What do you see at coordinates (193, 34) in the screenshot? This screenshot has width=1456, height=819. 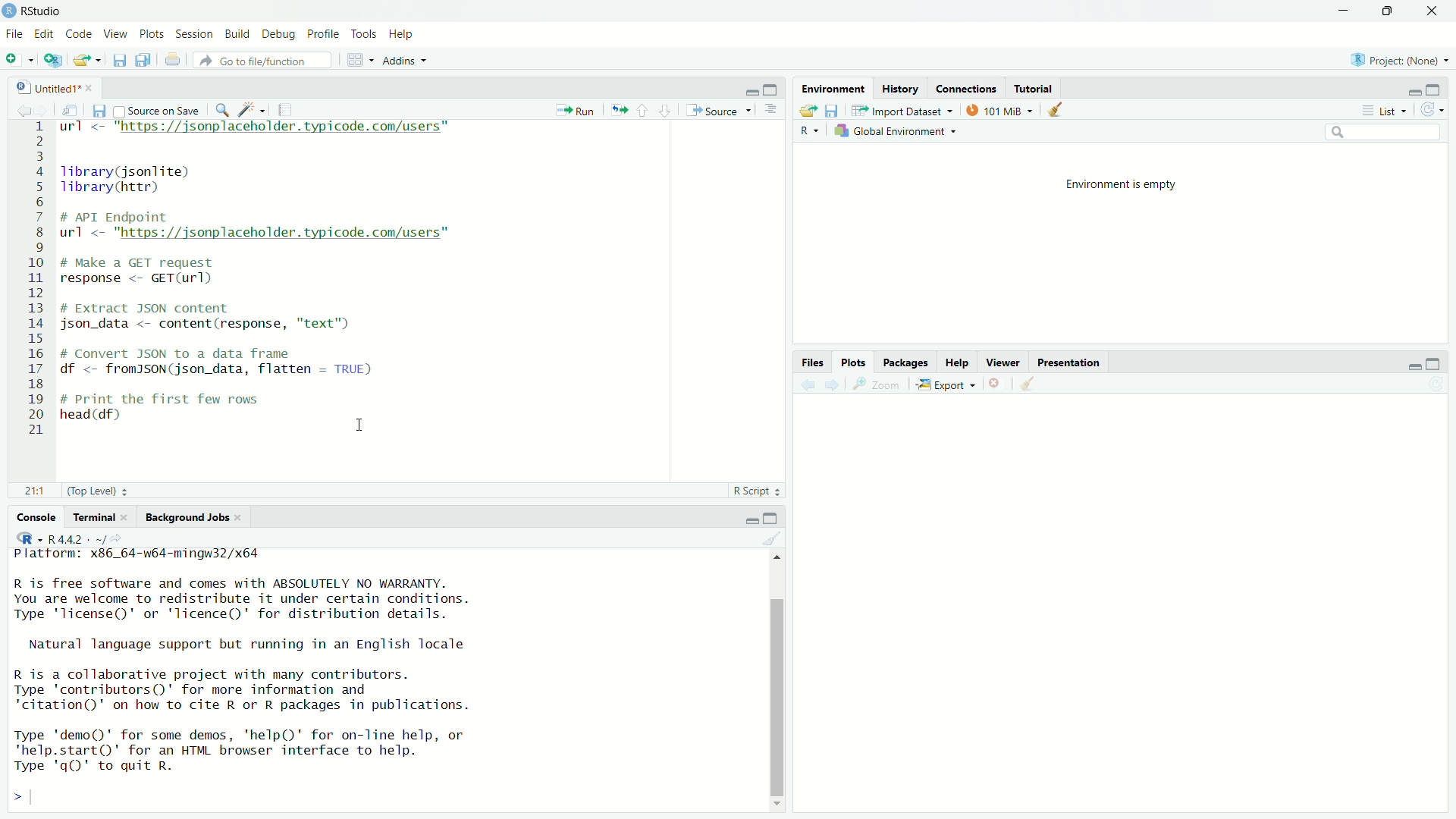 I see `Session` at bounding box center [193, 34].